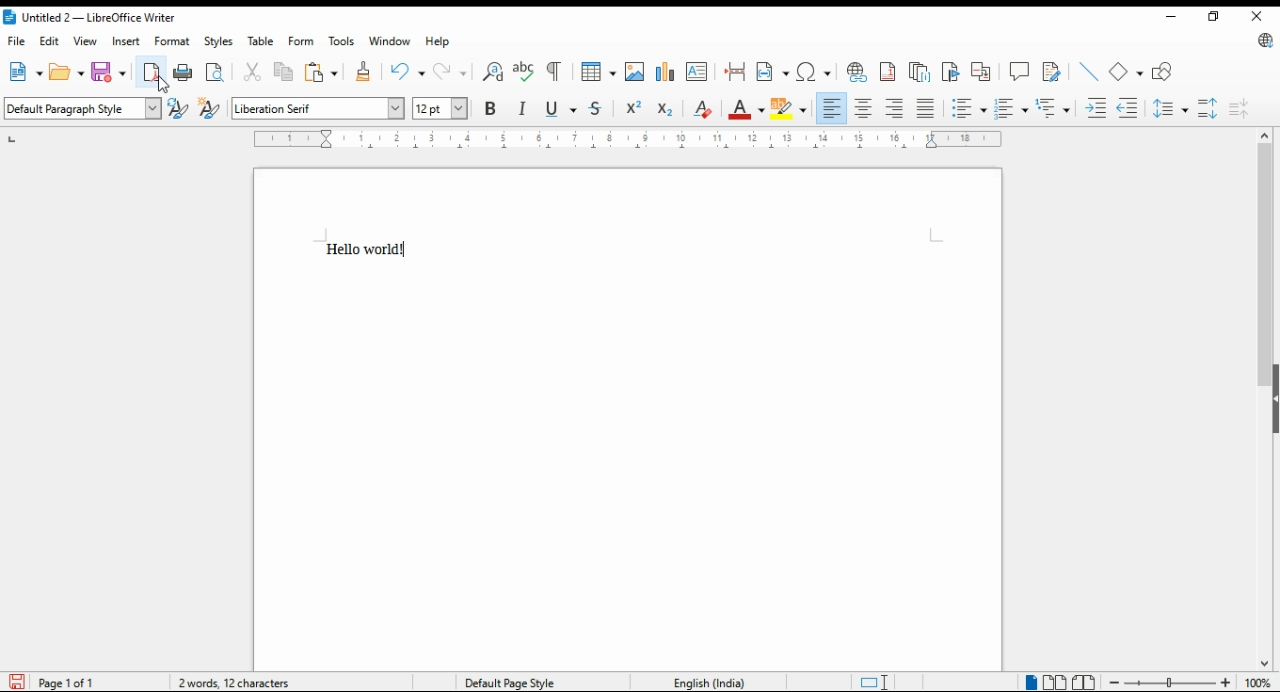 The width and height of the screenshot is (1280, 692). Describe the element at coordinates (857, 71) in the screenshot. I see `insert hyperlink` at that location.